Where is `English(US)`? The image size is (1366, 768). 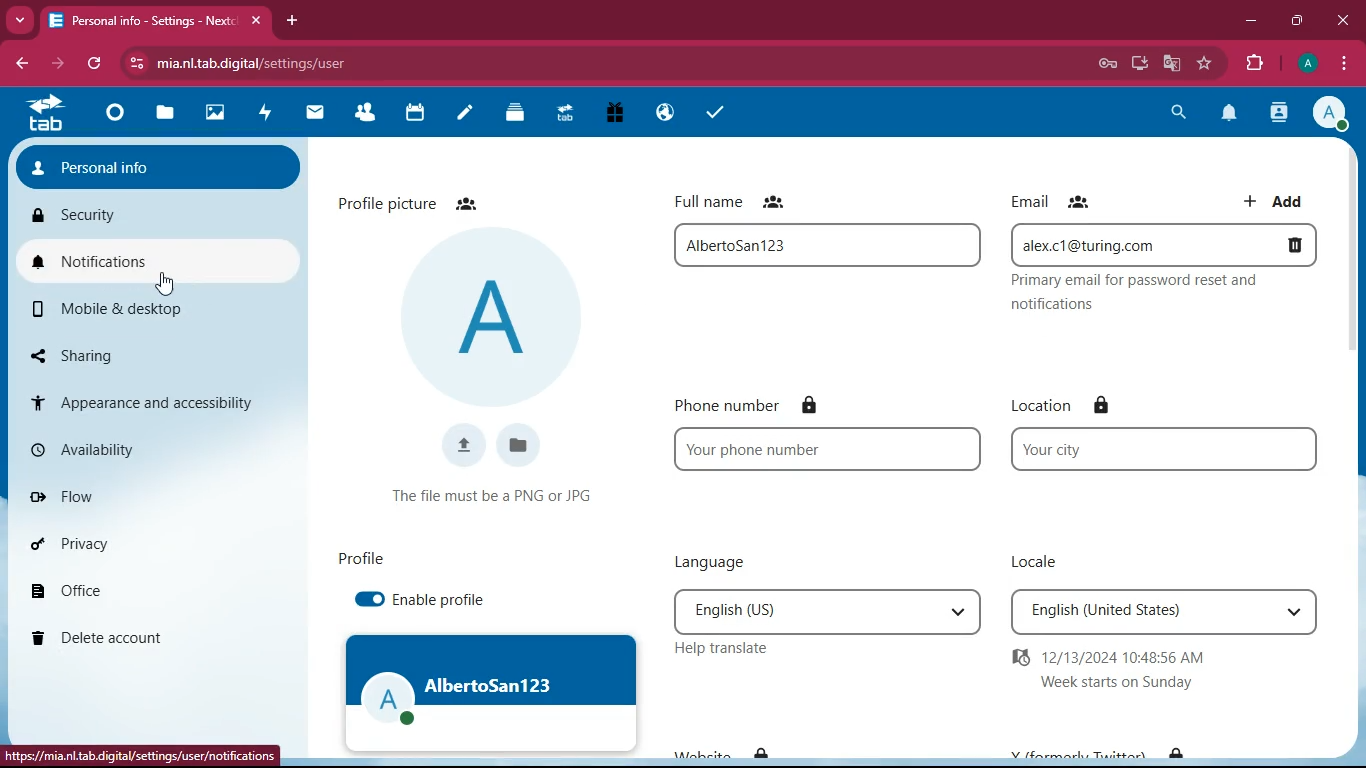 English(US) is located at coordinates (826, 611).